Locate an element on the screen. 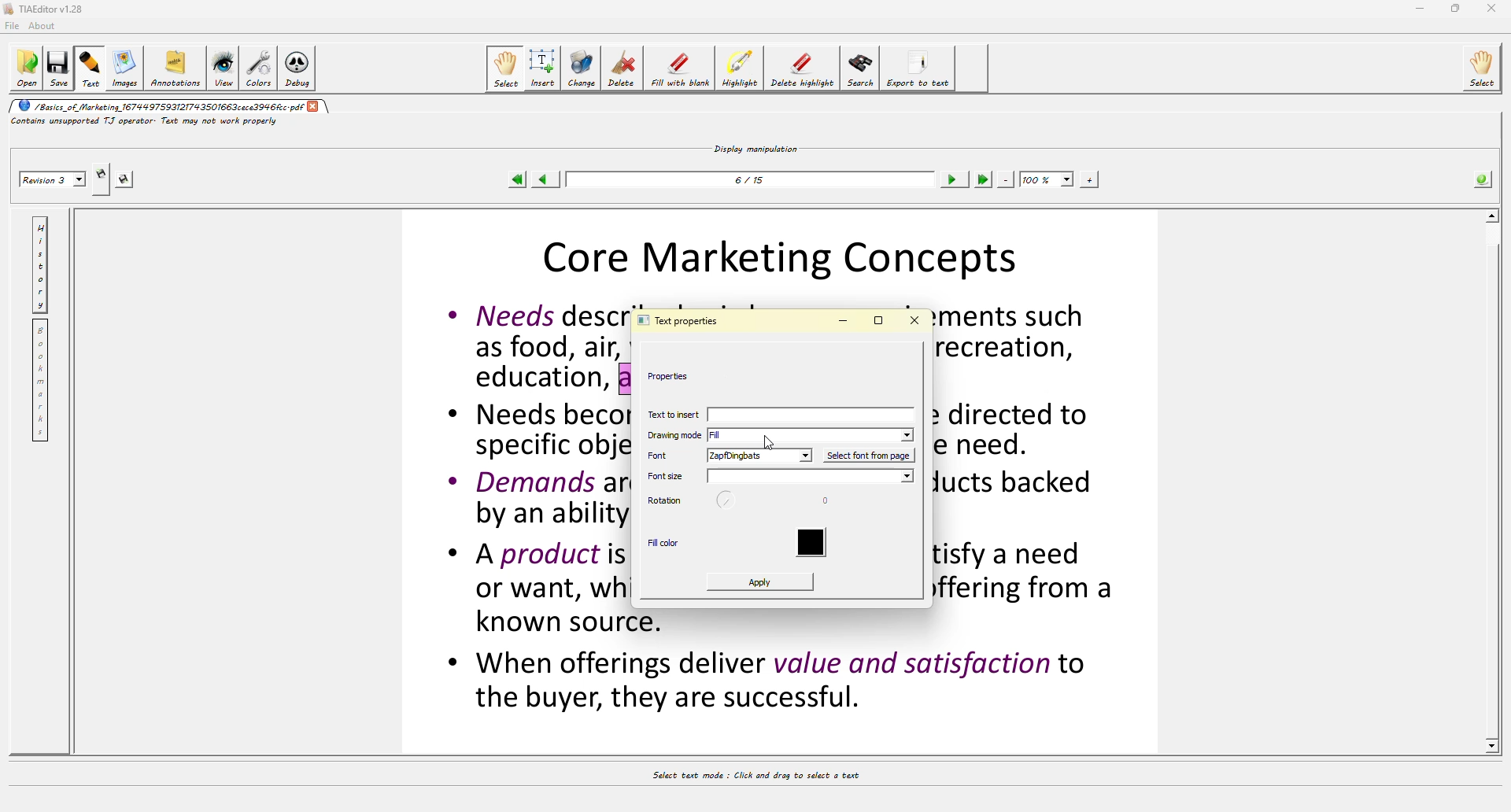  history is located at coordinates (42, 266).